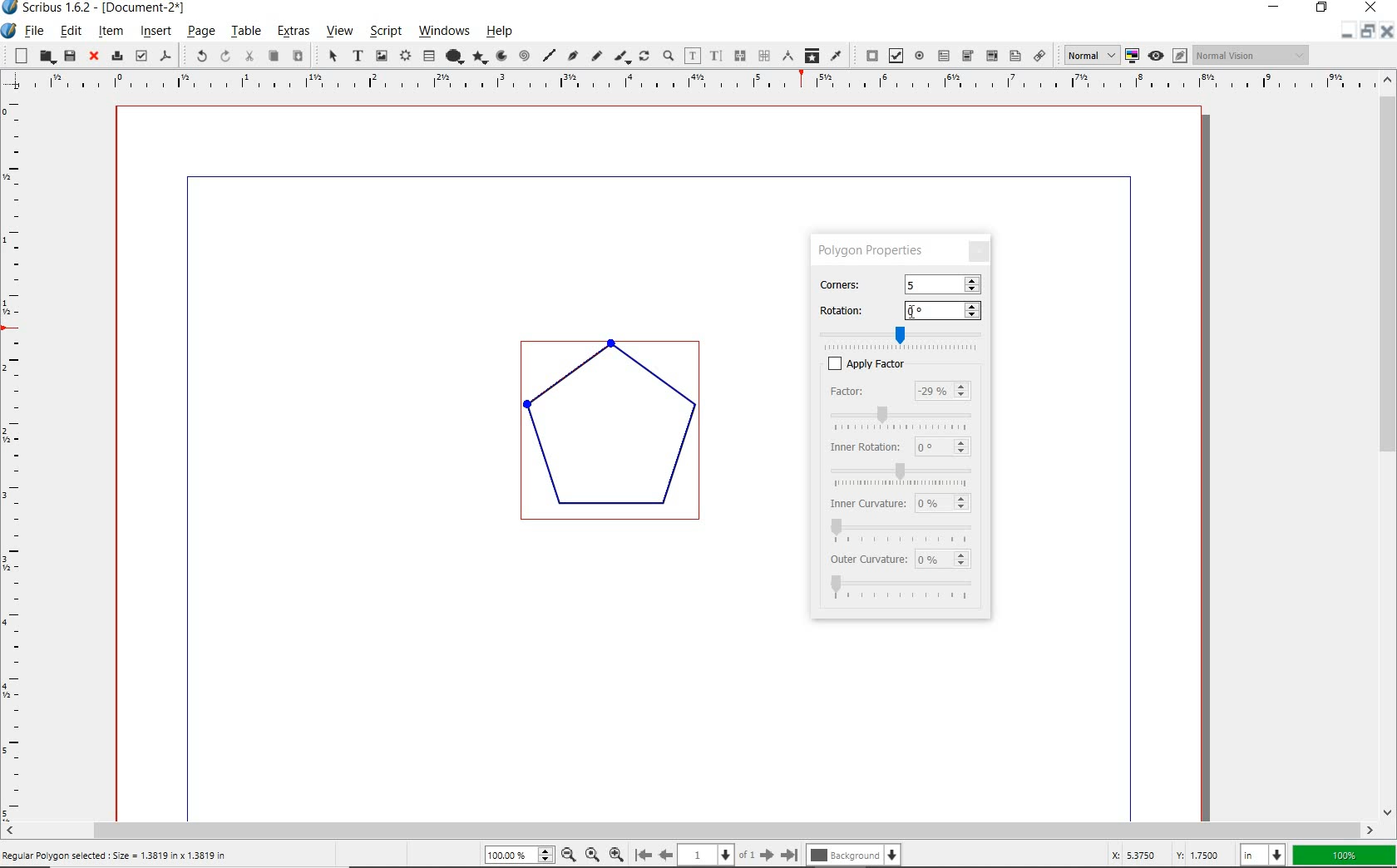 The height and width of the screenshot is (868, 1397). What do you see at coordinates (946, 560) in the screenshot?
I see `outer curvature input` at bounding box center [946, 560].